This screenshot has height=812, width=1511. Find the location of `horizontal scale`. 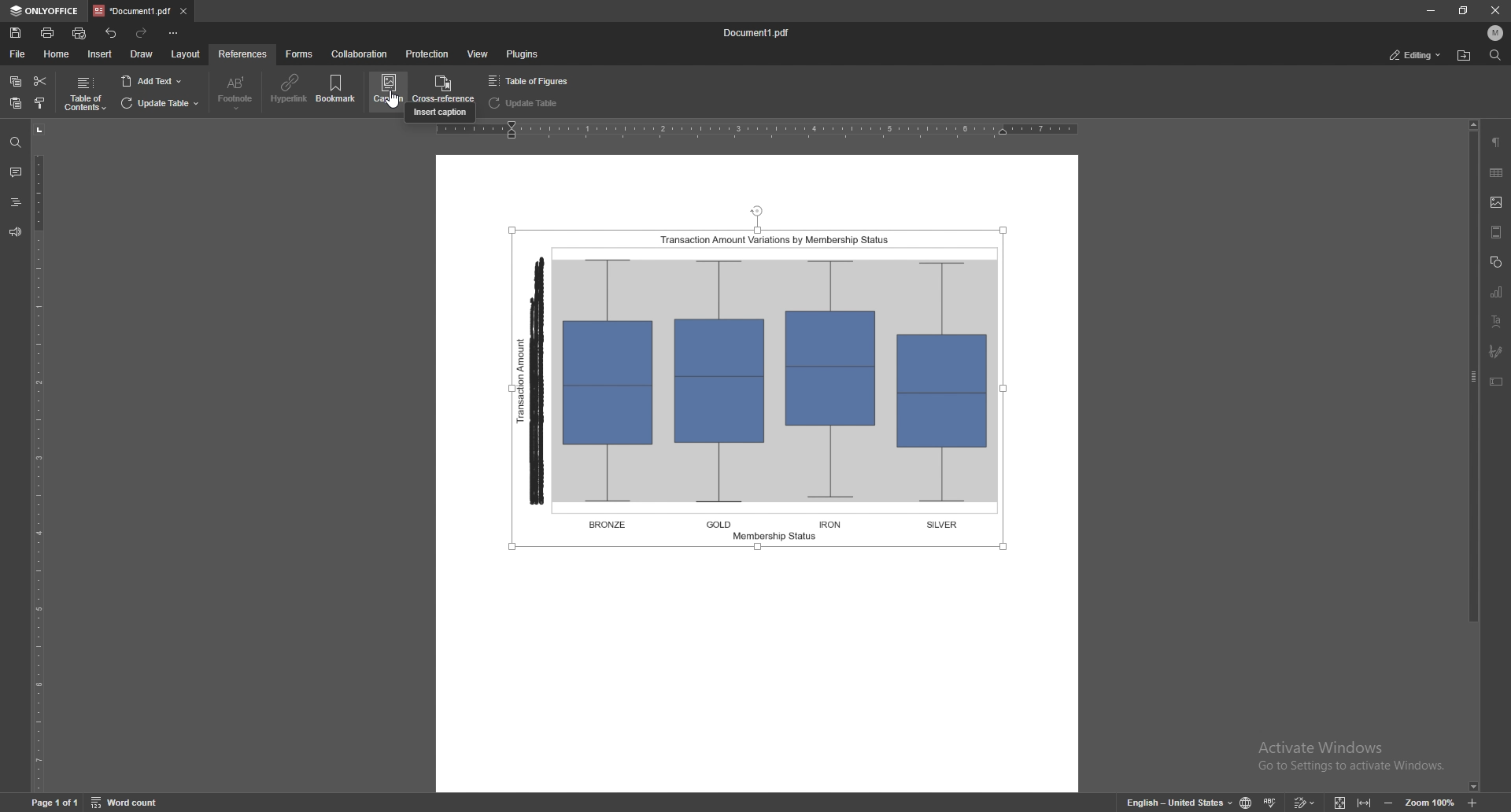

horizontal scale is located at coordinates (759, 132).